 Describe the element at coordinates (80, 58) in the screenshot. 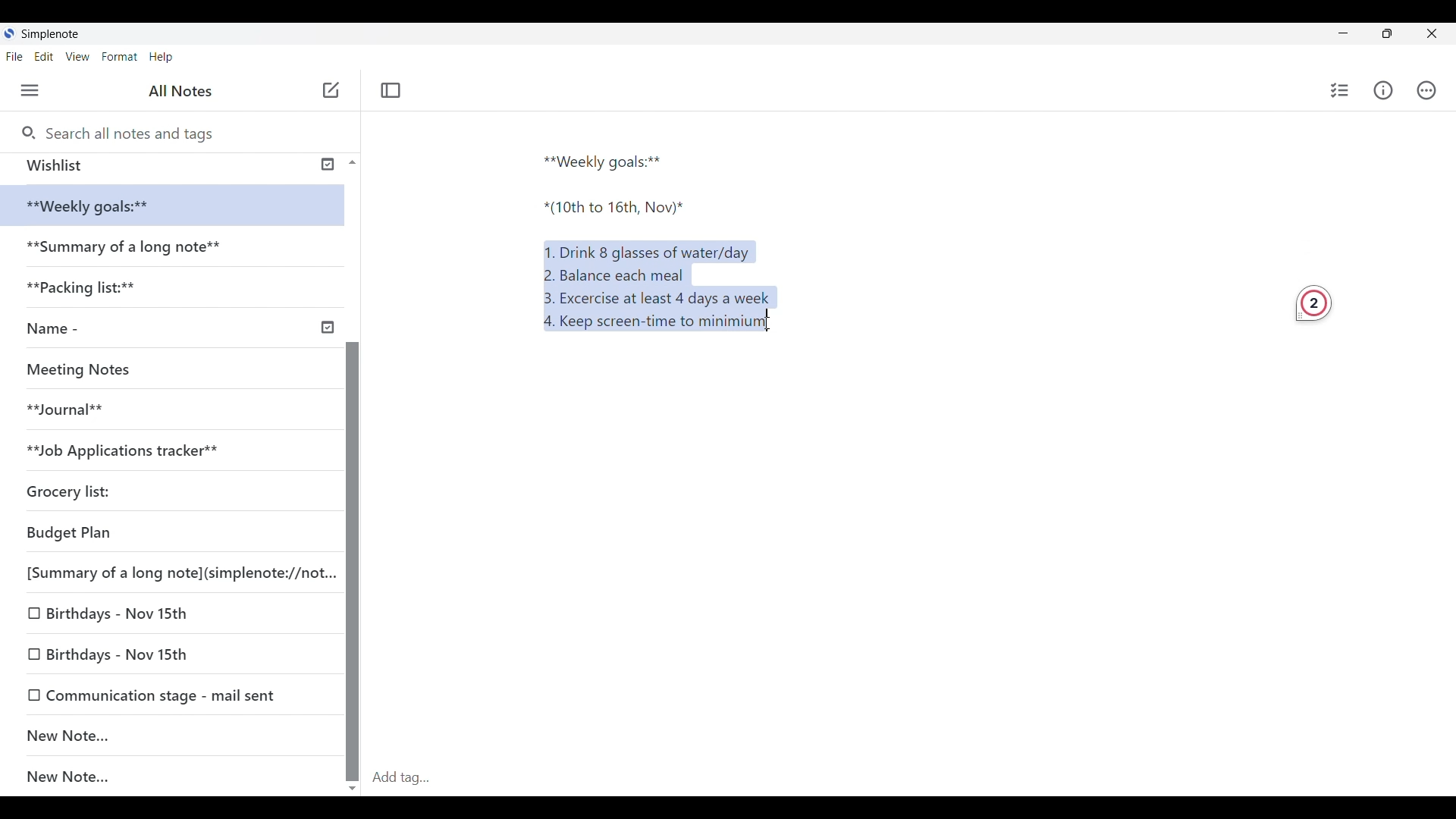

I see `View` at that location.